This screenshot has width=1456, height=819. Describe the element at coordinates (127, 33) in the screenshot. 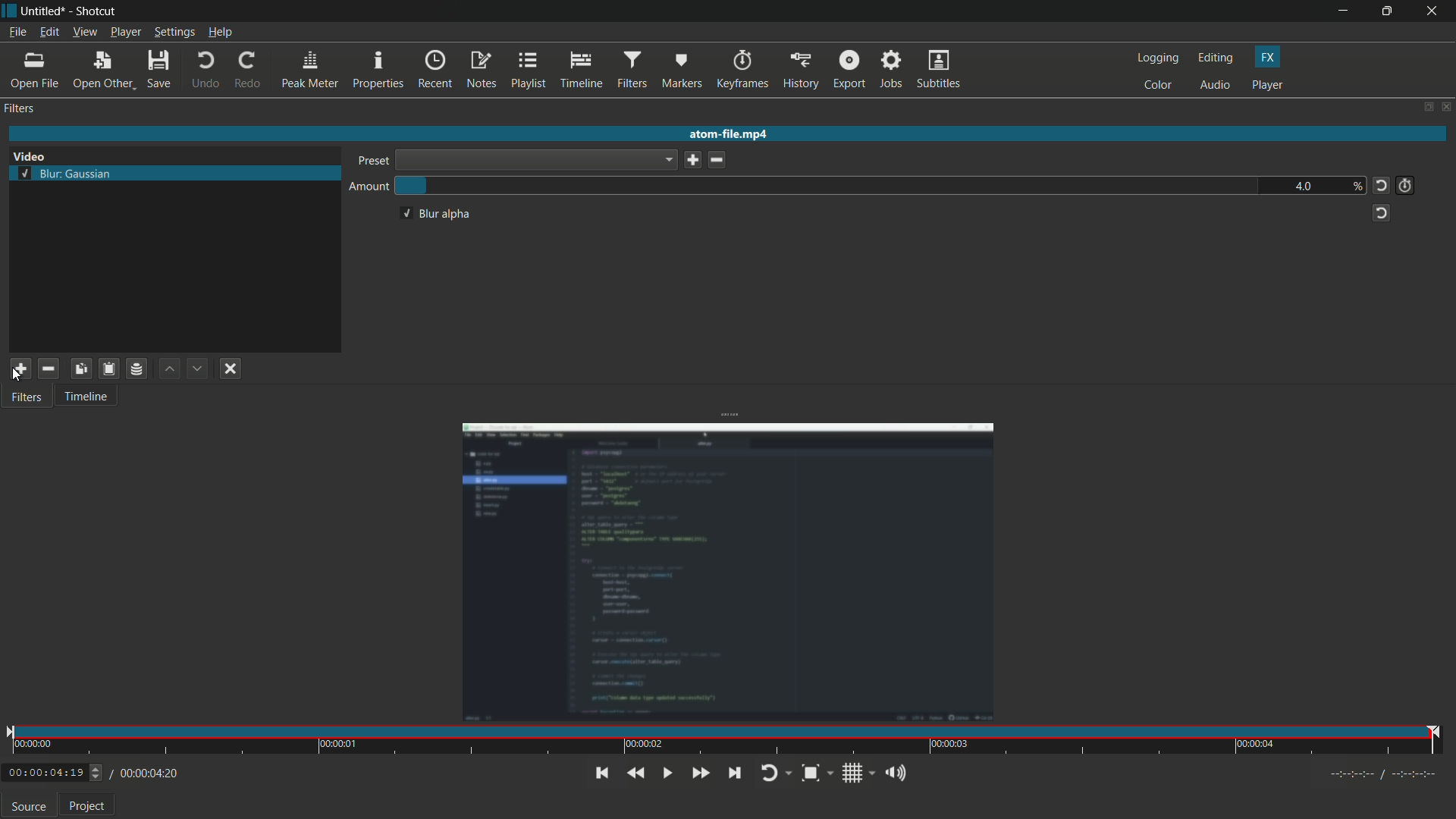

I see `player menu` at that location.